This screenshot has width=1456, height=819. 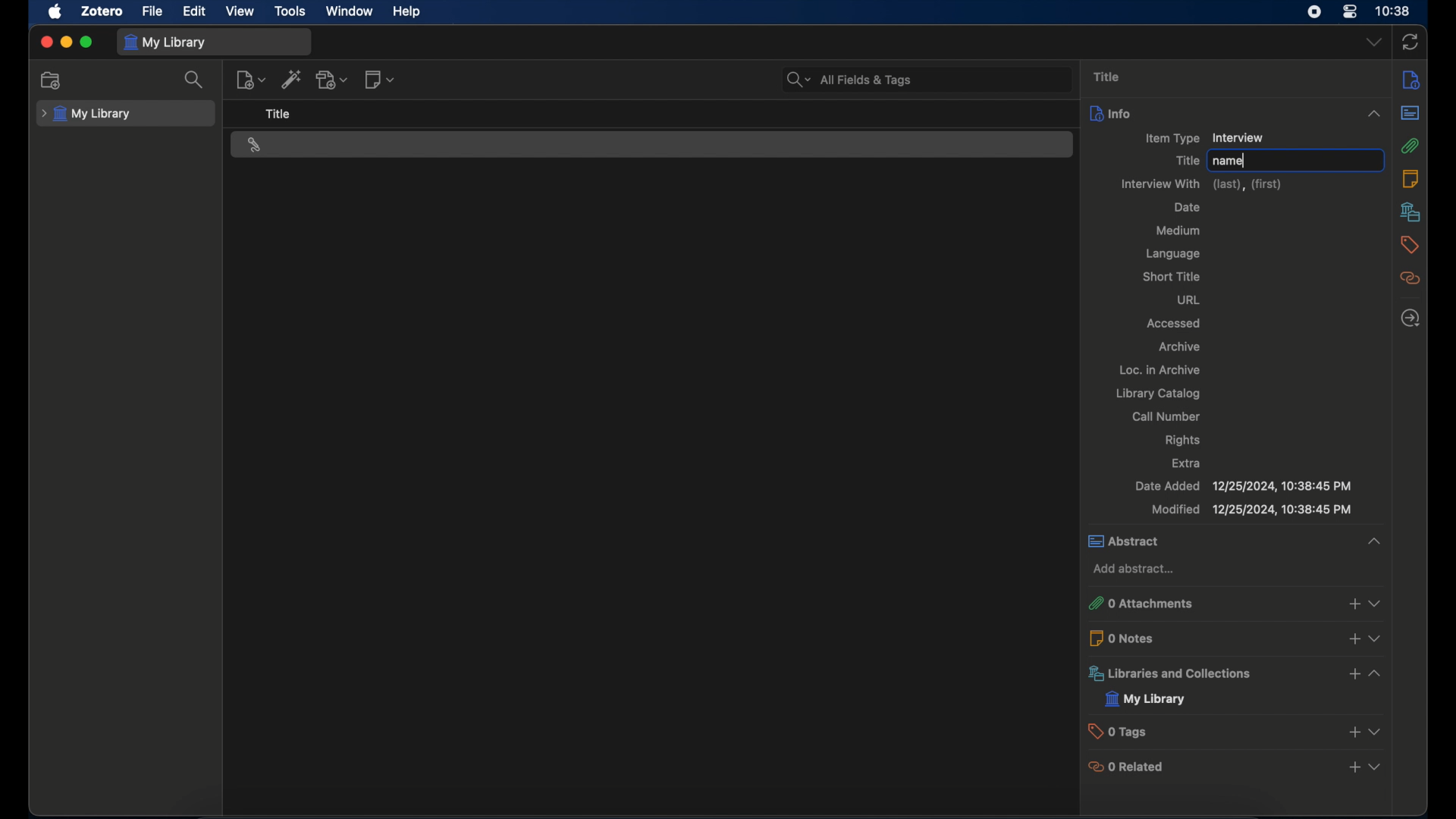 What do you see at coordinates (1191, 300) in the screenshot?
I see `url` at bounding box center [1191, 300].